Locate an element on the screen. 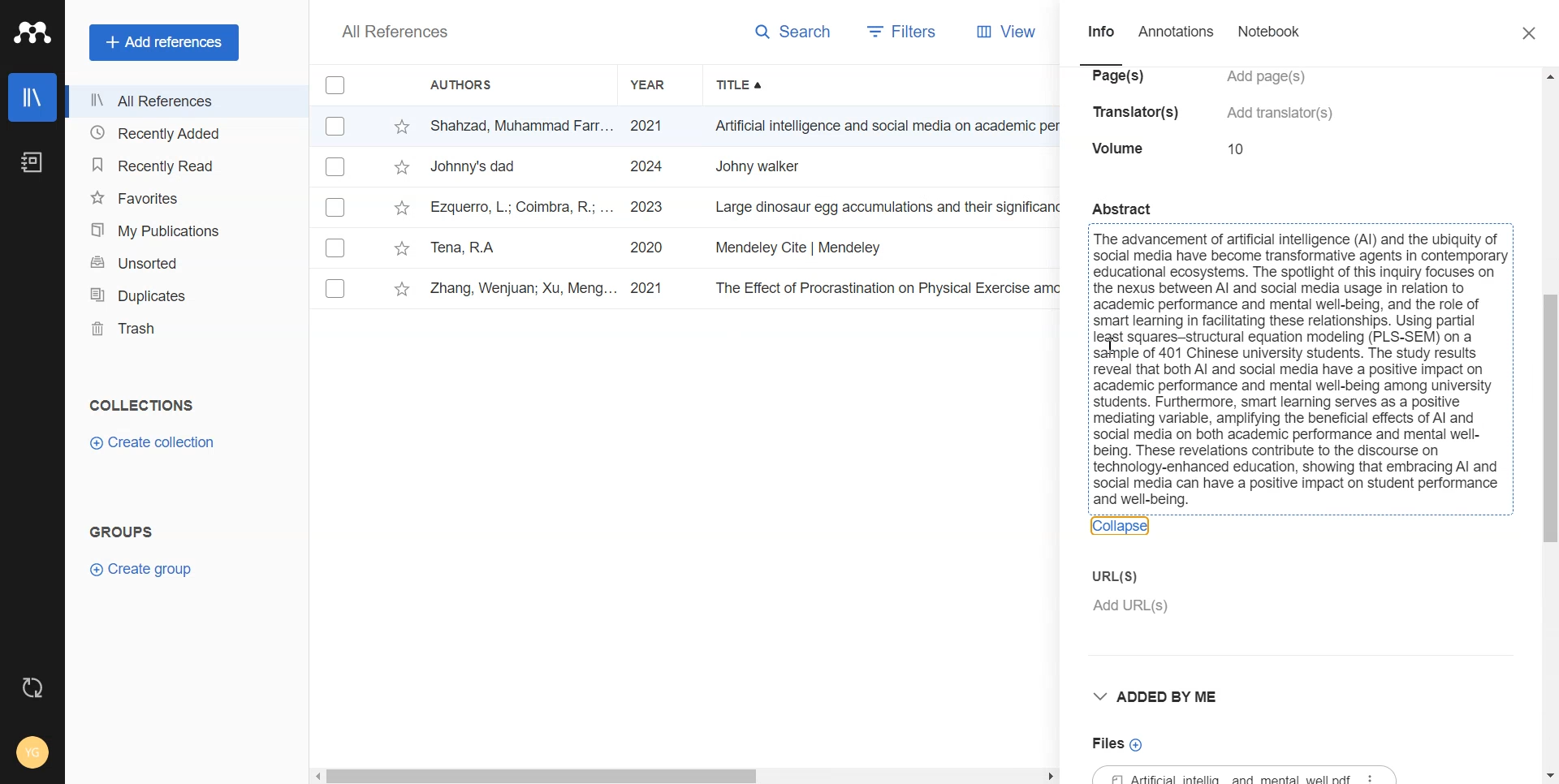 This screenshot has height=784, width=1559. cursor is located at coordinates (1112, 348).